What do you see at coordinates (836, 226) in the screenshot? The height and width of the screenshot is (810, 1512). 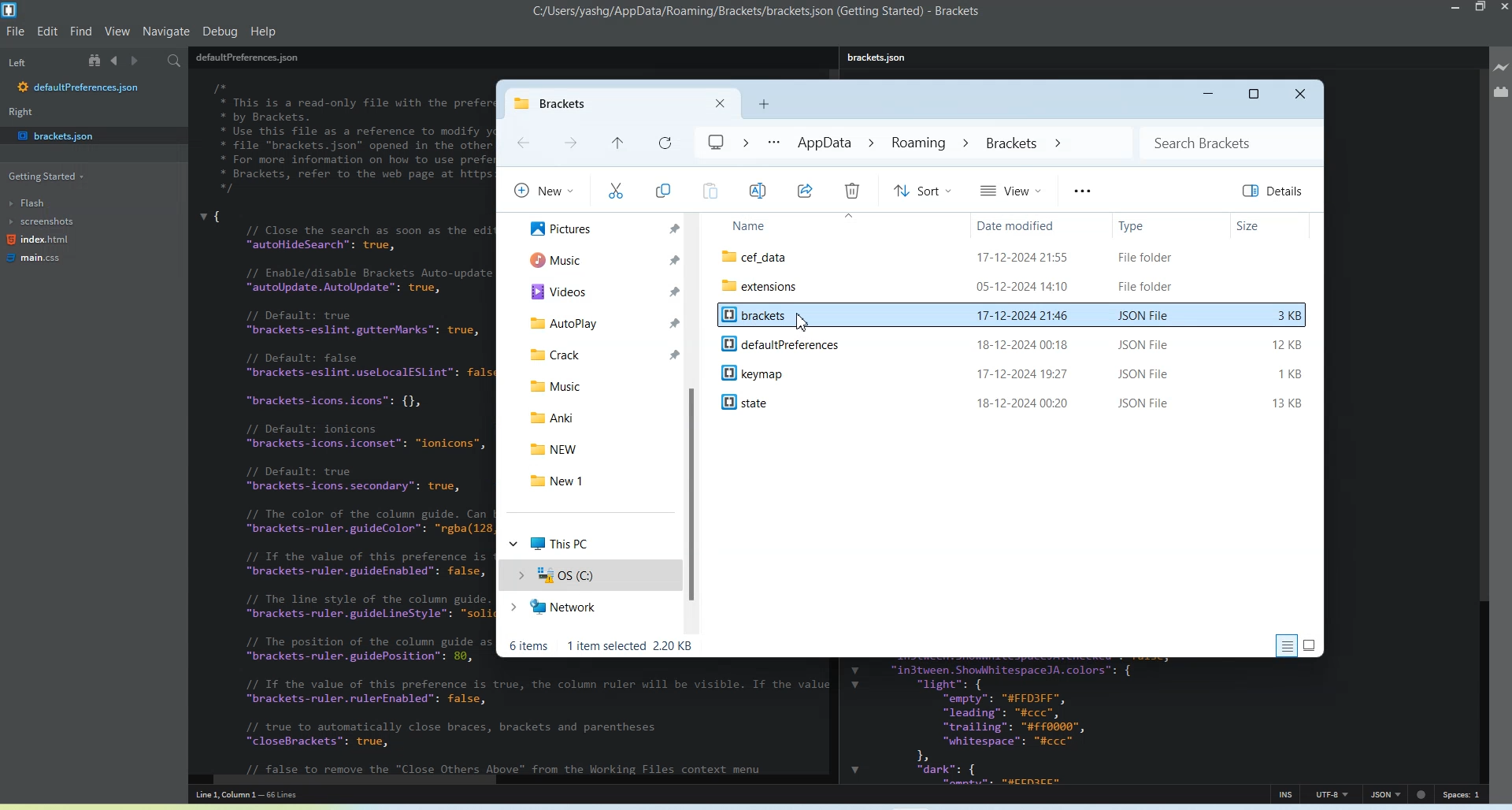 I see `Name` at bounding box center [836, 226].